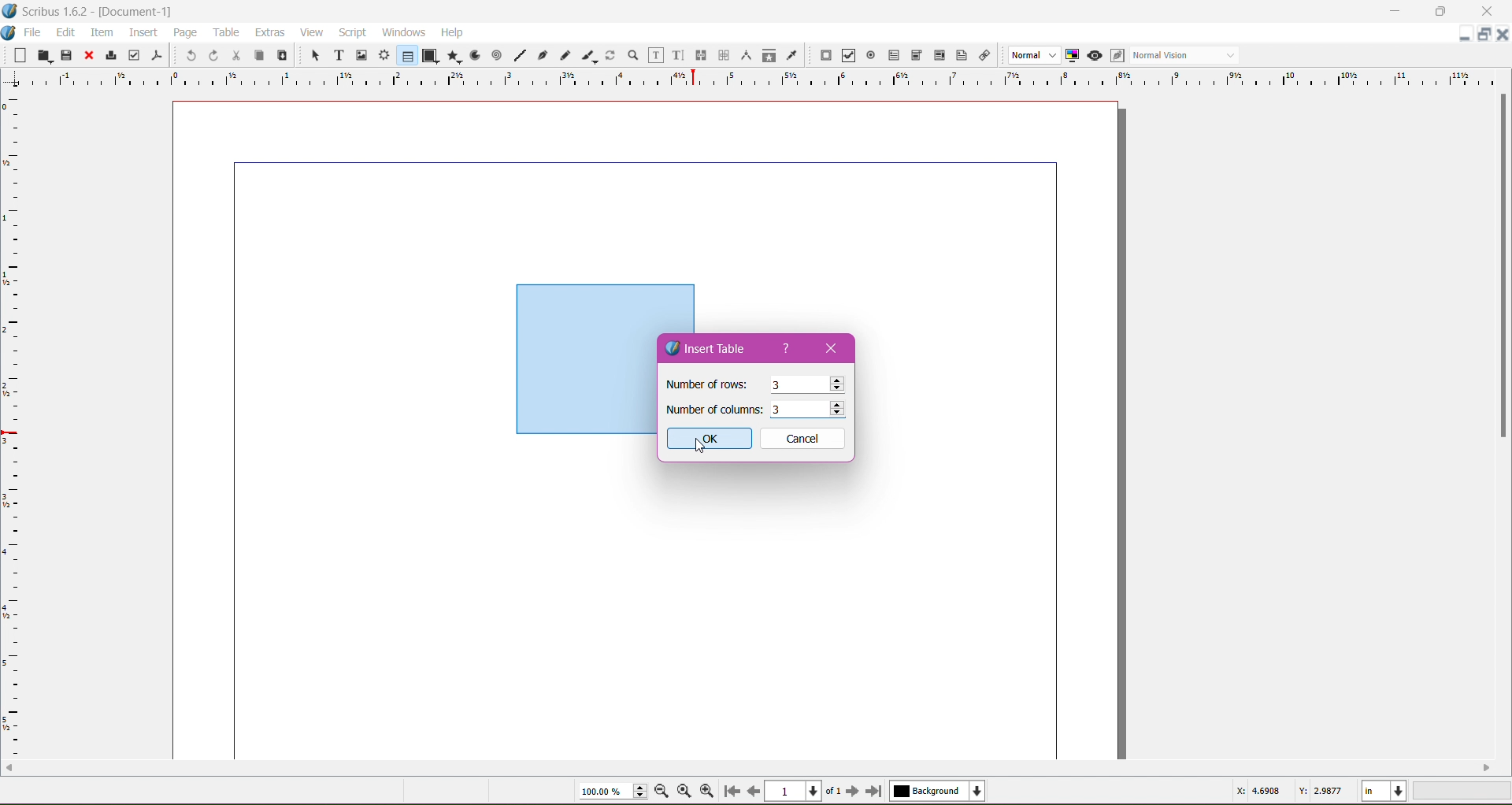 This screenshot has height=805, width=1512. Describe the element at coordinates (517, 56) in the screenshot. I see `Line` at that location.